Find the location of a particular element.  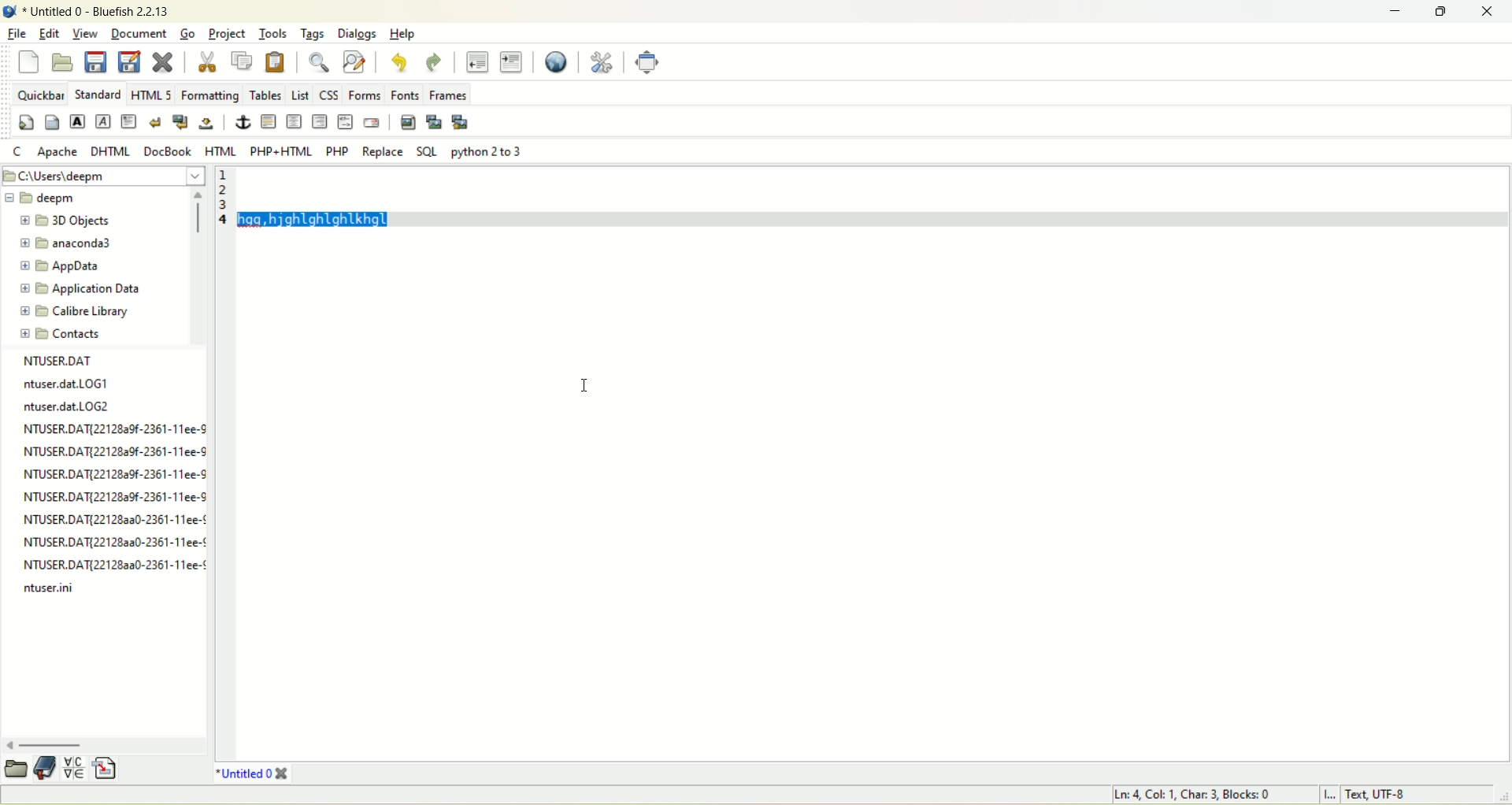

folder name is located at coordinates (79, 332).